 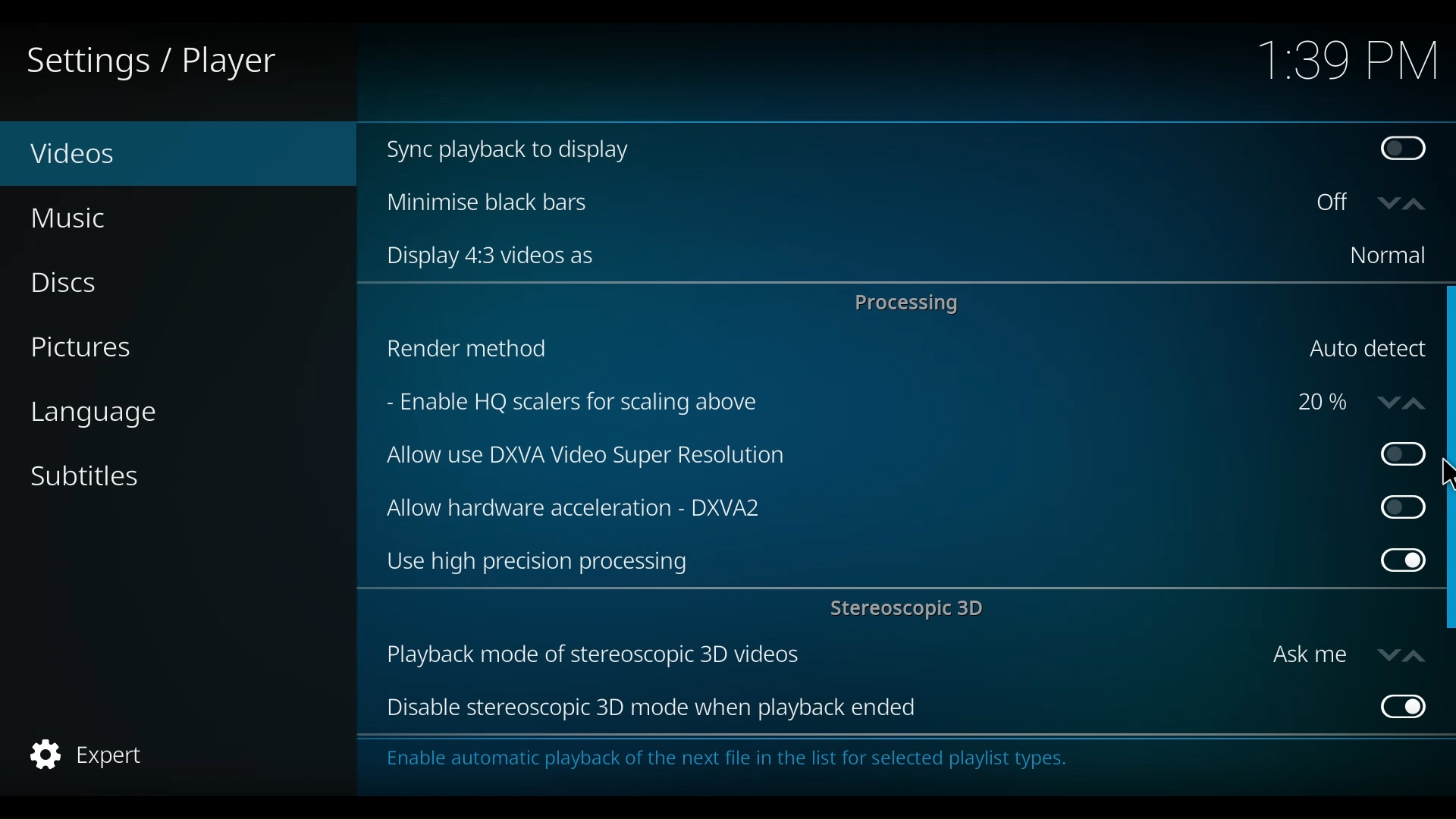 I want to click on Processing, so click(x=911, y=303).